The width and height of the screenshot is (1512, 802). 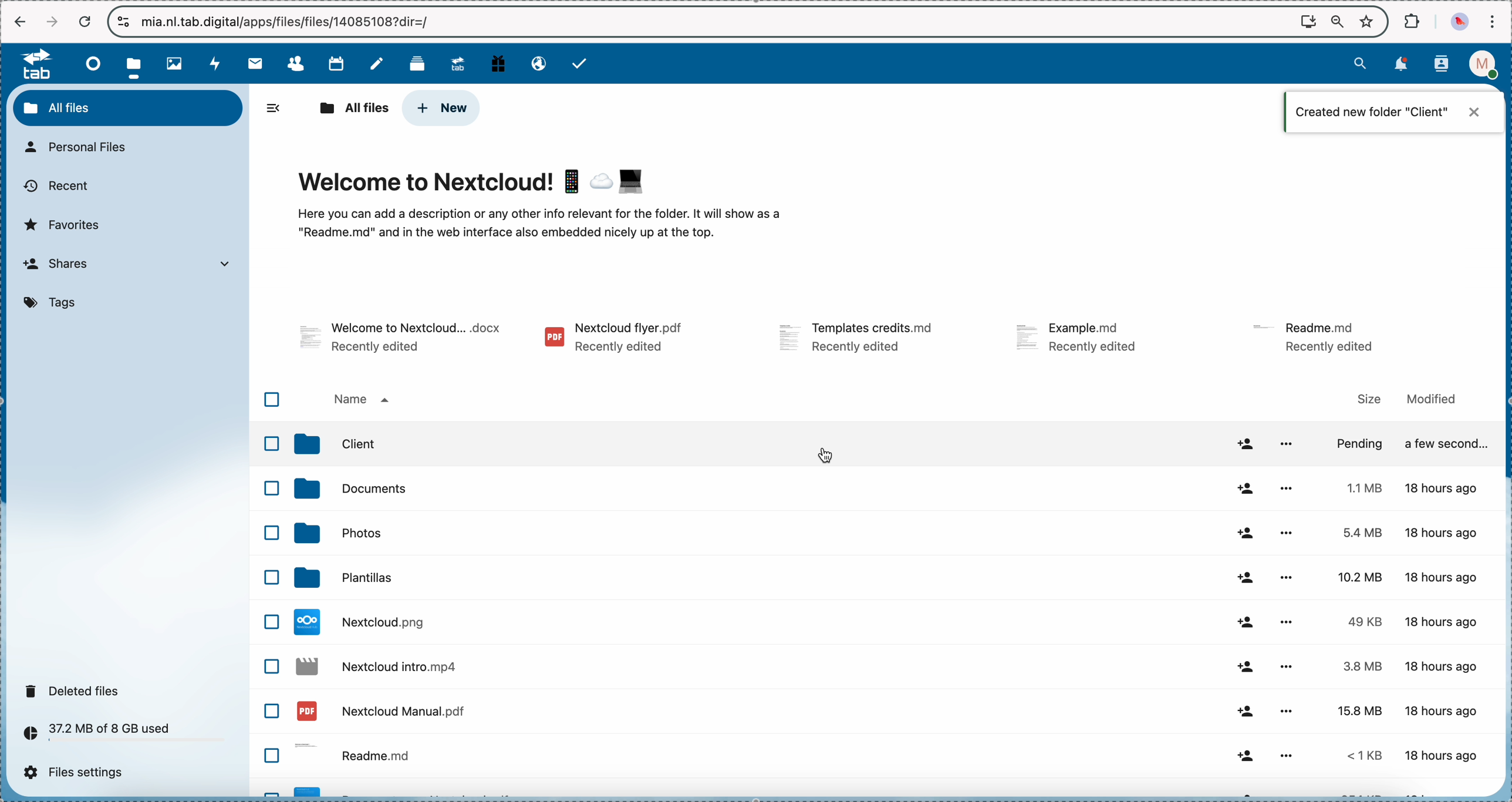 I want to click on share, so click(x=1247, y=622).